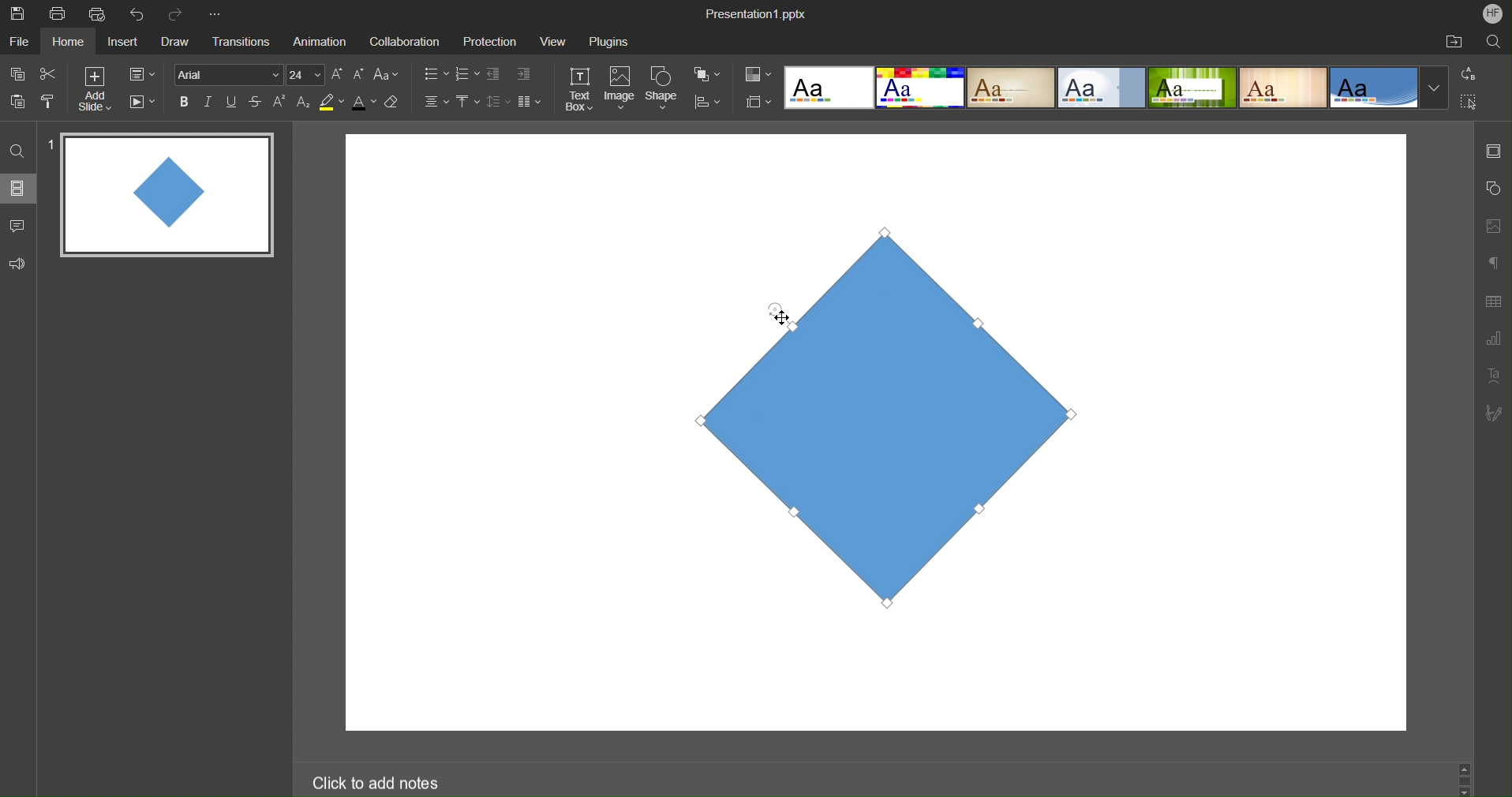 The width and height of the screenshot is (1512, 797). Describe the element at coordinates (142, 73) in the screenshot. I see `Slide Settings` at that location.